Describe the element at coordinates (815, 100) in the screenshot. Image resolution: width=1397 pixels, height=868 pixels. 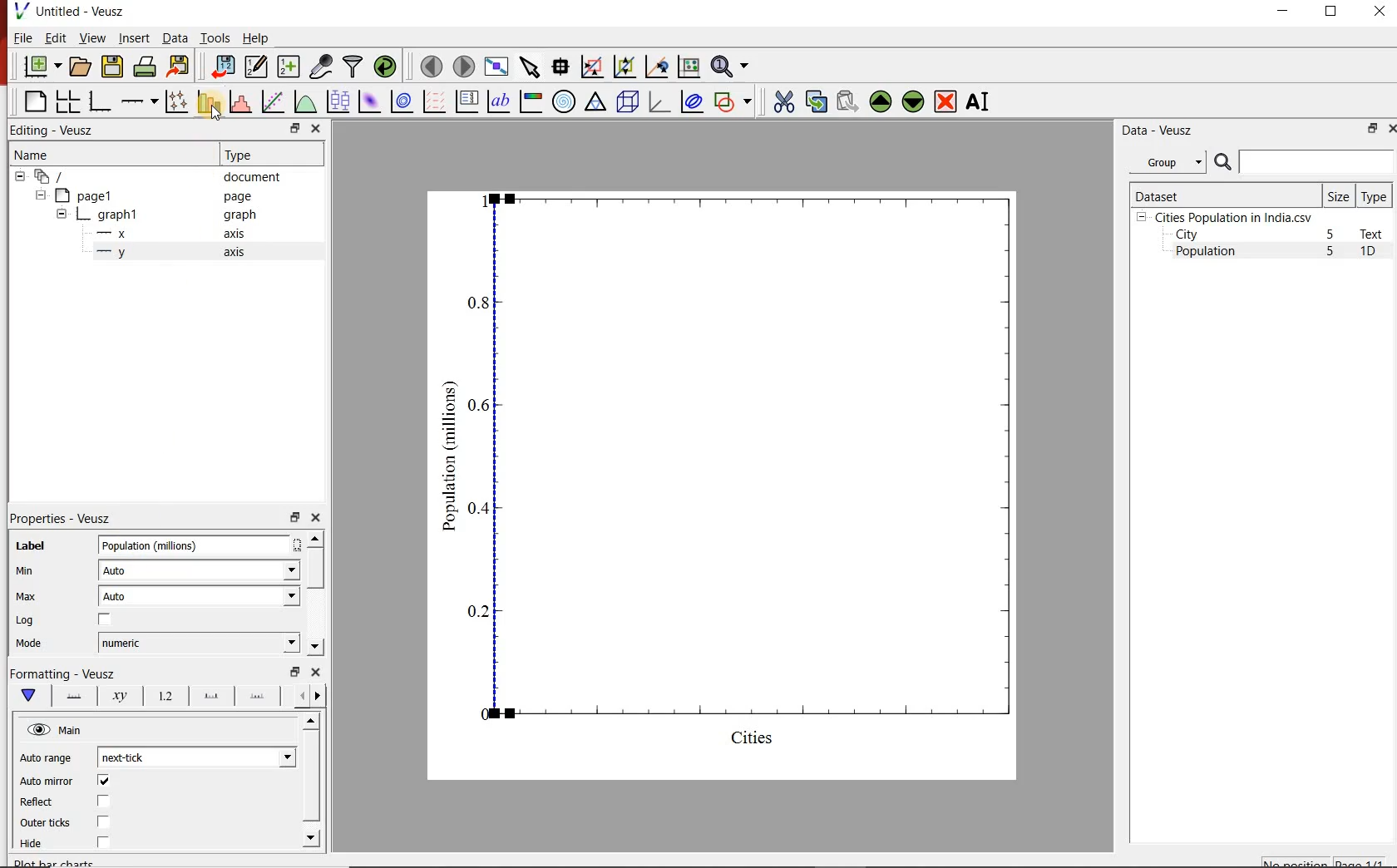
I see `copy the selected widget` at that location.